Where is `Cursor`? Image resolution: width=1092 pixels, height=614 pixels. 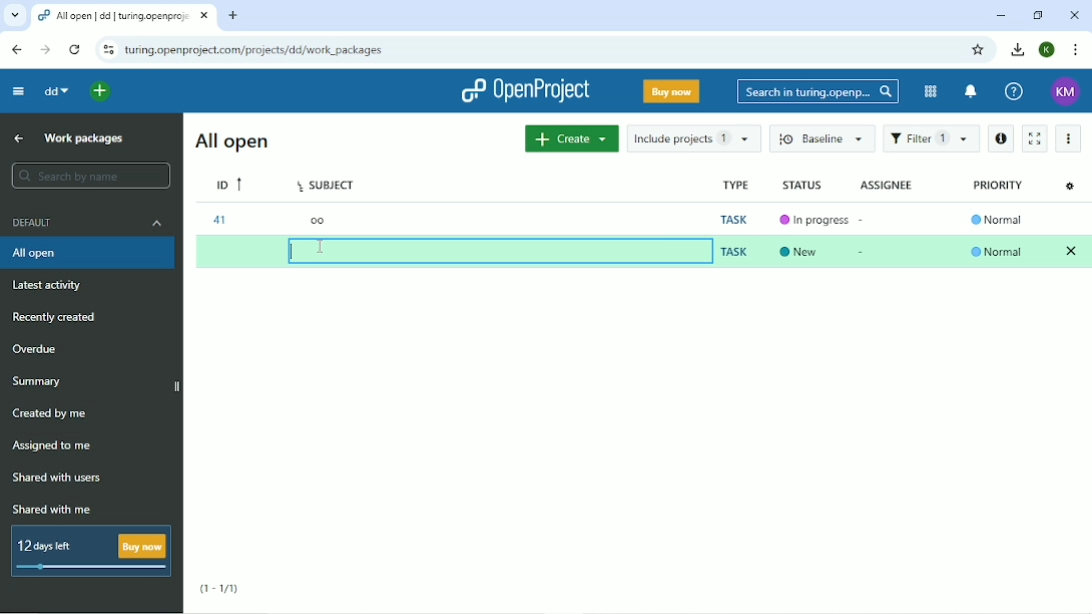 Cursor is located at coordinates (323, 246).